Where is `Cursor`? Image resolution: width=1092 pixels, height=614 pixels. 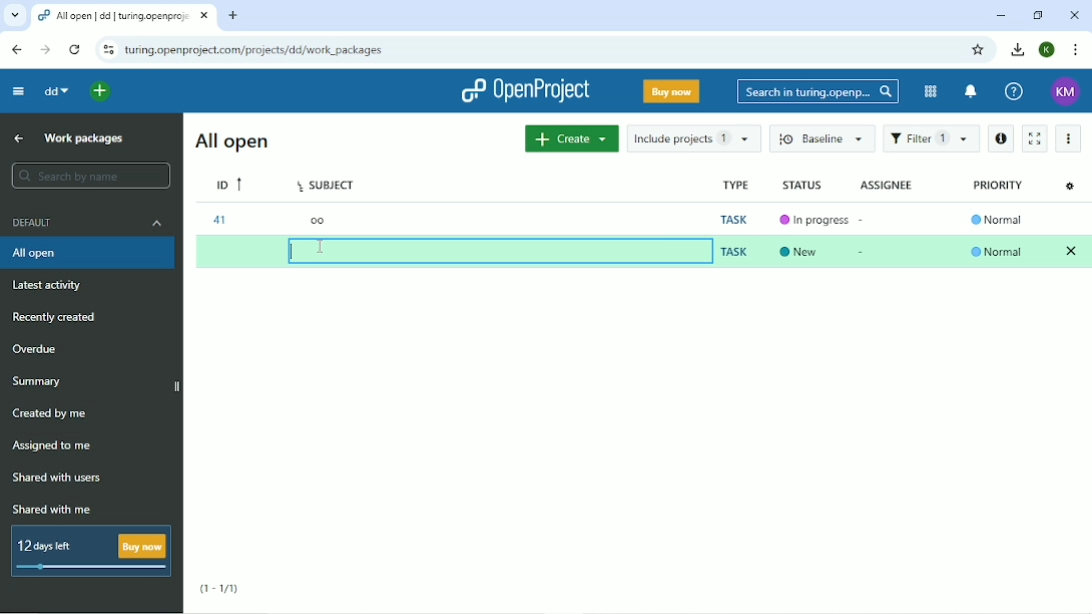 Cursor is located at coordinates (323, 246).